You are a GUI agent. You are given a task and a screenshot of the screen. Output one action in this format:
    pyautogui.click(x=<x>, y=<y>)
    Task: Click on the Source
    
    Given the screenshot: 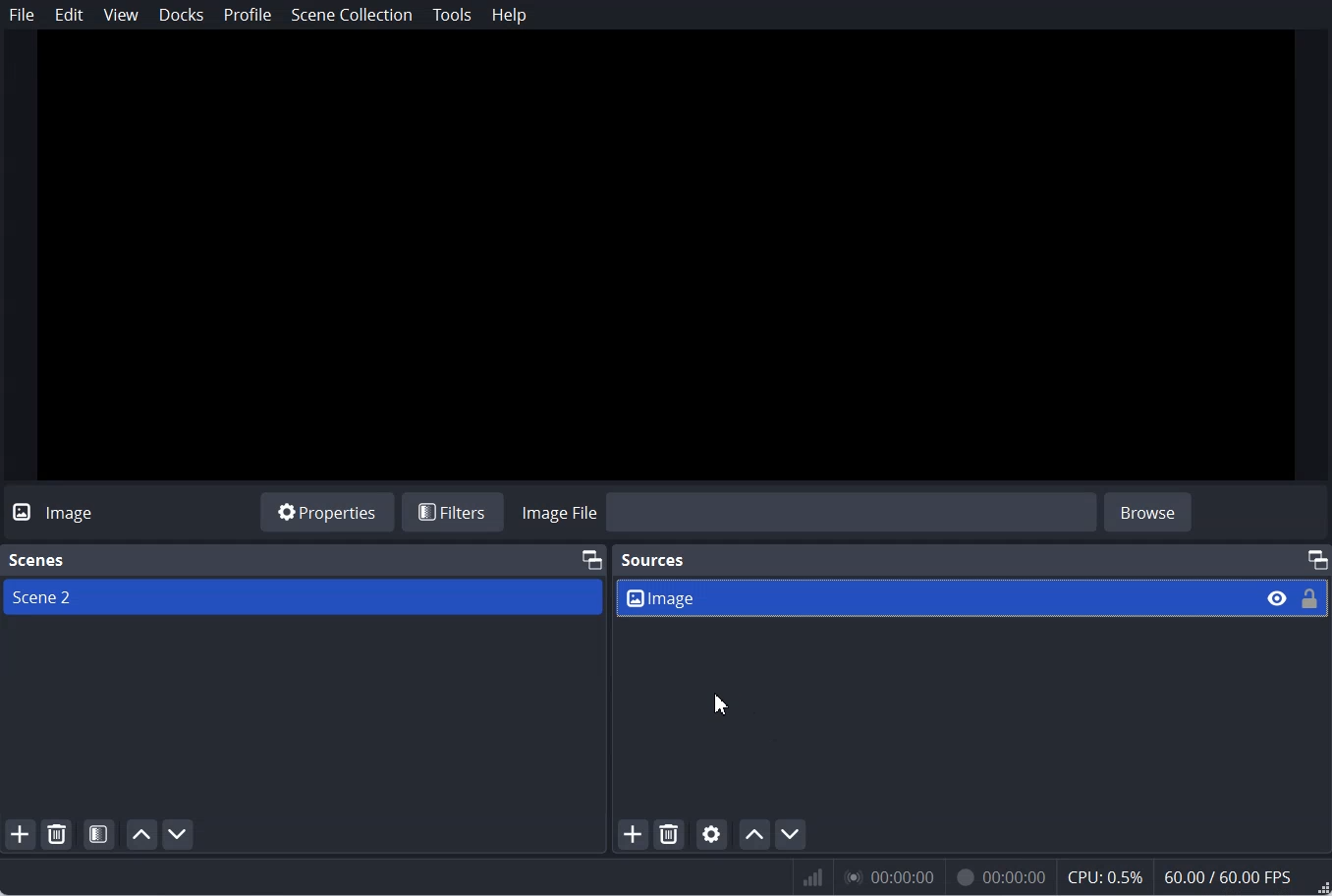 What is the action you would take?
    pyautogui.click(x=972, y=600)
    